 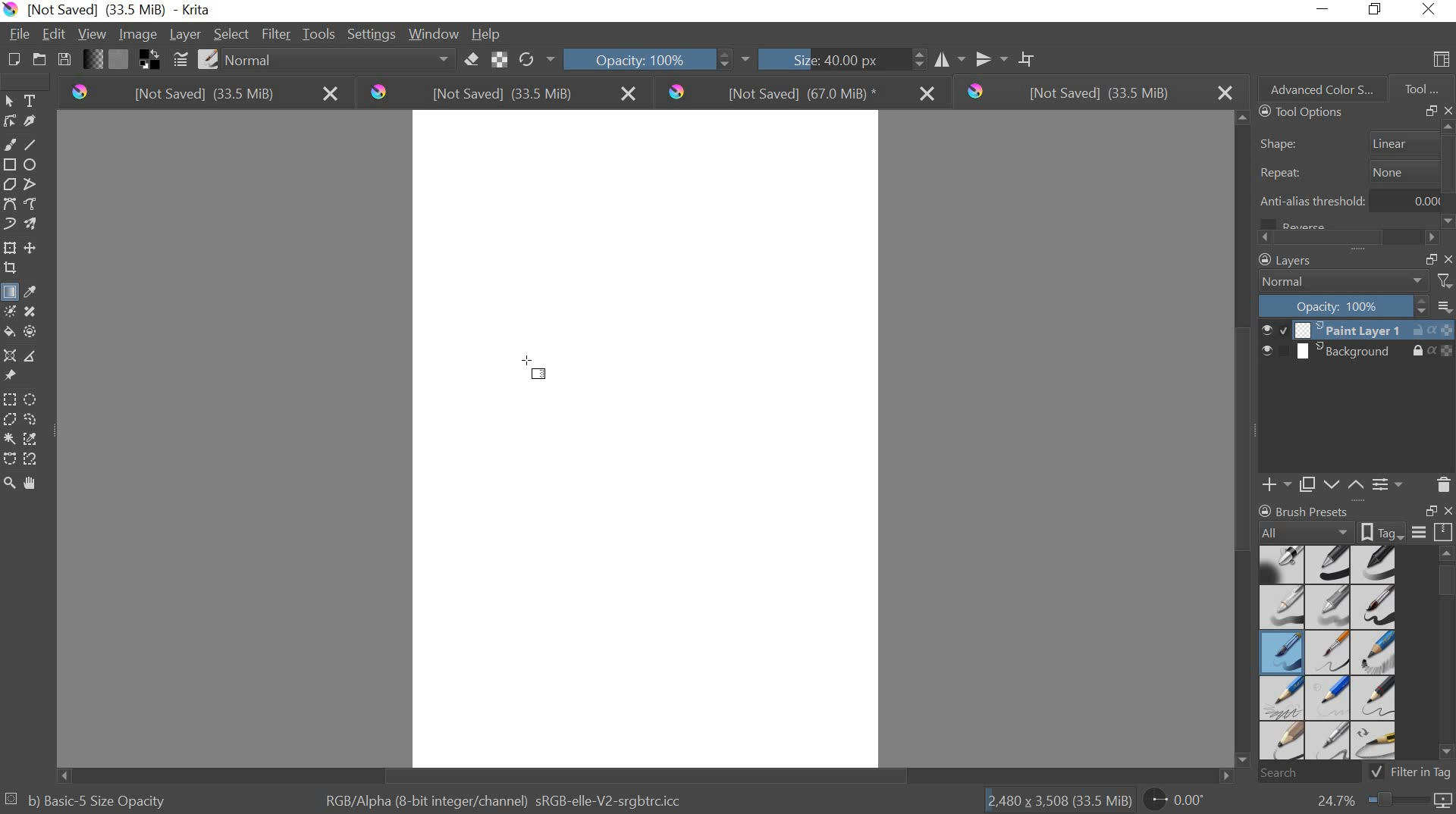 I want to click on EDIT, so click(x=57, y=33).